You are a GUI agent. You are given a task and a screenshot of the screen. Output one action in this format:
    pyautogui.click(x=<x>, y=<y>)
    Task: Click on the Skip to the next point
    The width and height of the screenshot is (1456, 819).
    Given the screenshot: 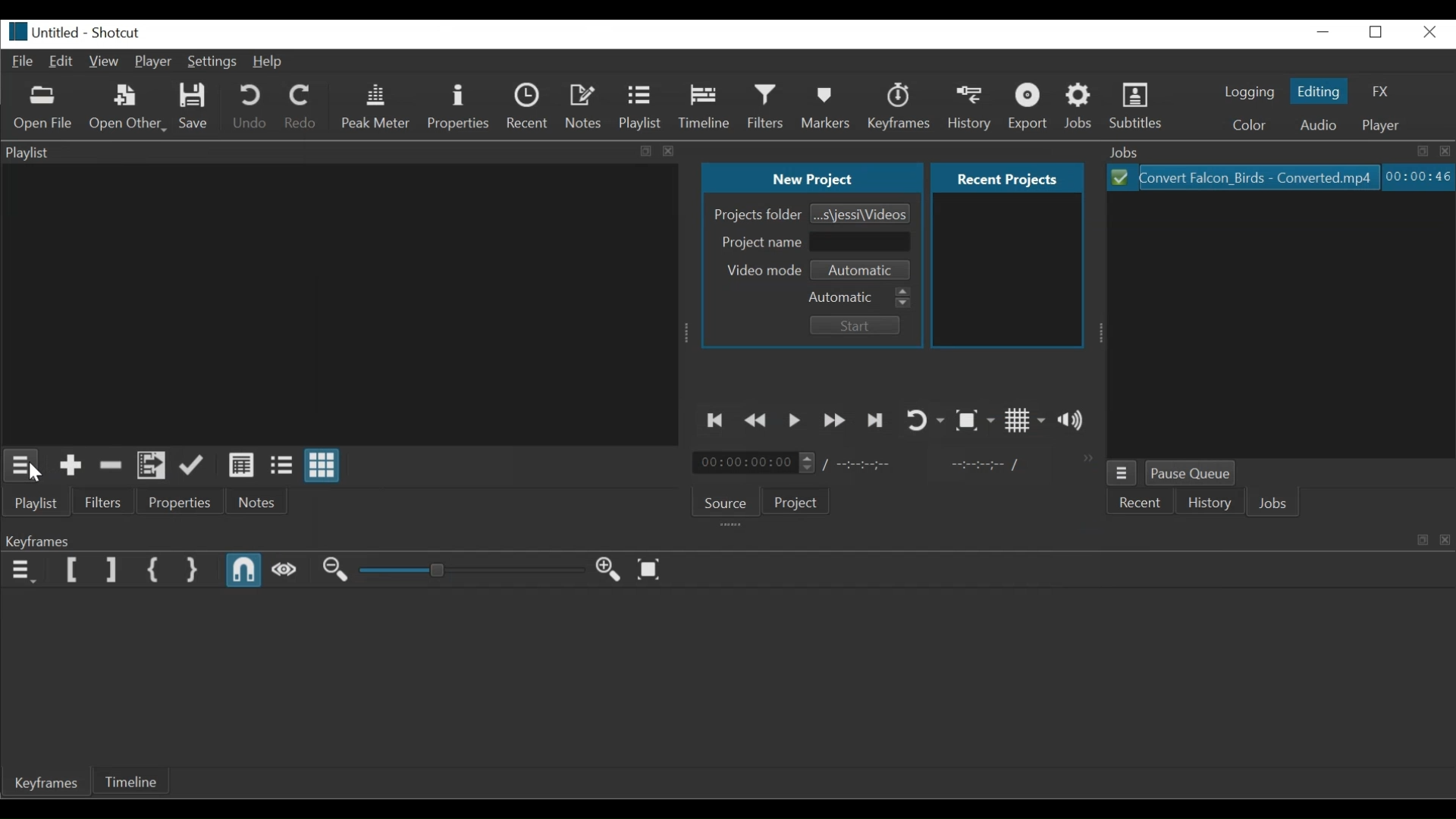 What is the action you would take?
    pyautogui.click(x=876, y=420)
    